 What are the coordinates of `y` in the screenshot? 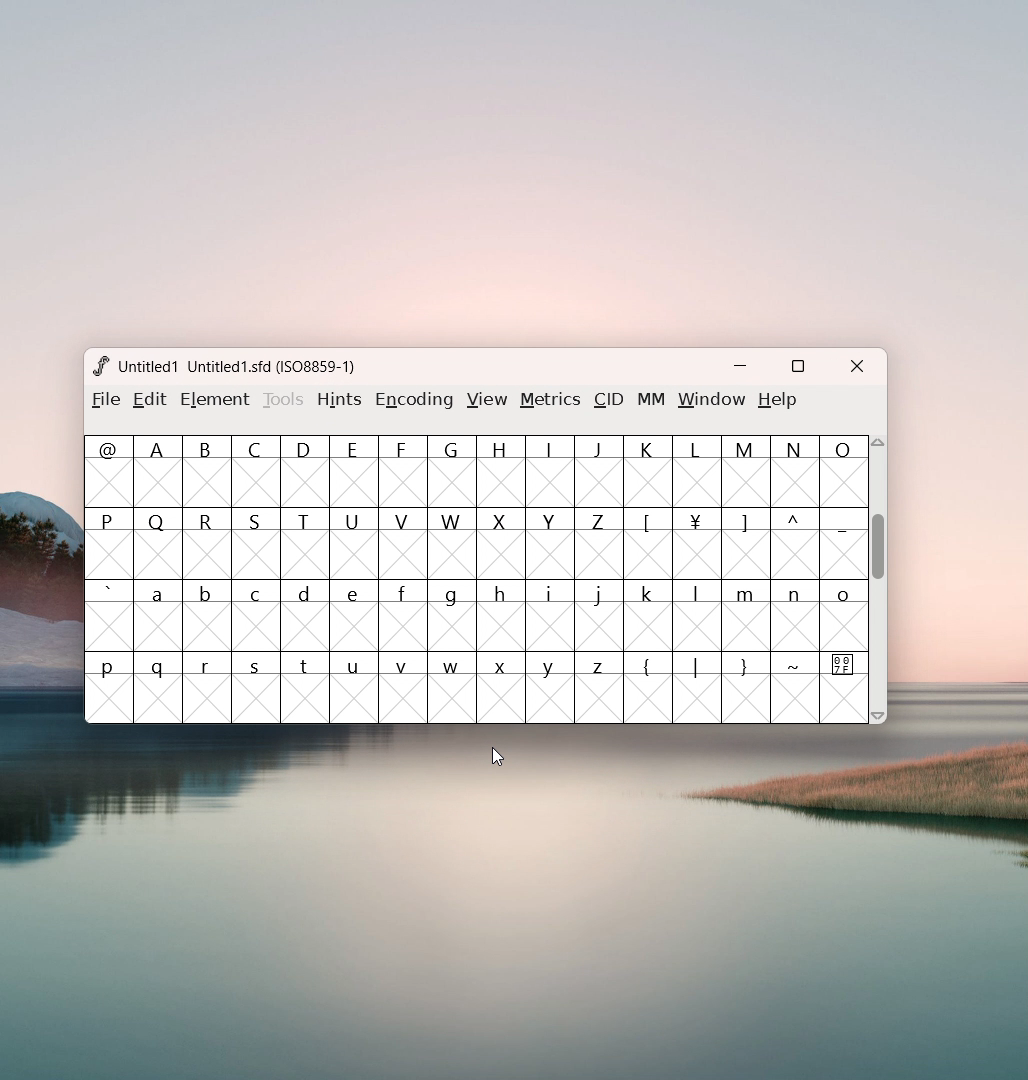 It's located at (551, 689).